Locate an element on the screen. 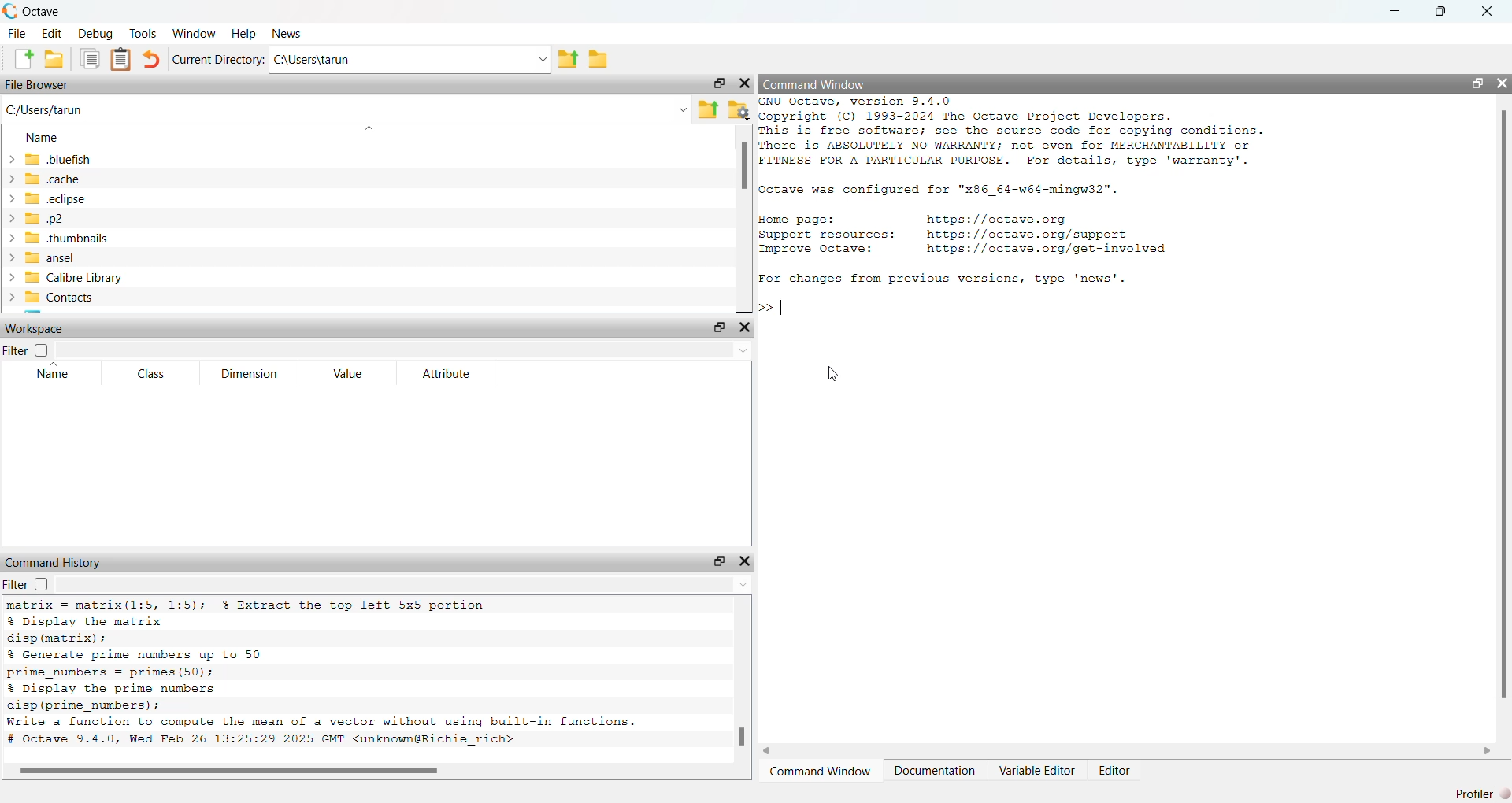  >> is located at coordinates (765, 308).